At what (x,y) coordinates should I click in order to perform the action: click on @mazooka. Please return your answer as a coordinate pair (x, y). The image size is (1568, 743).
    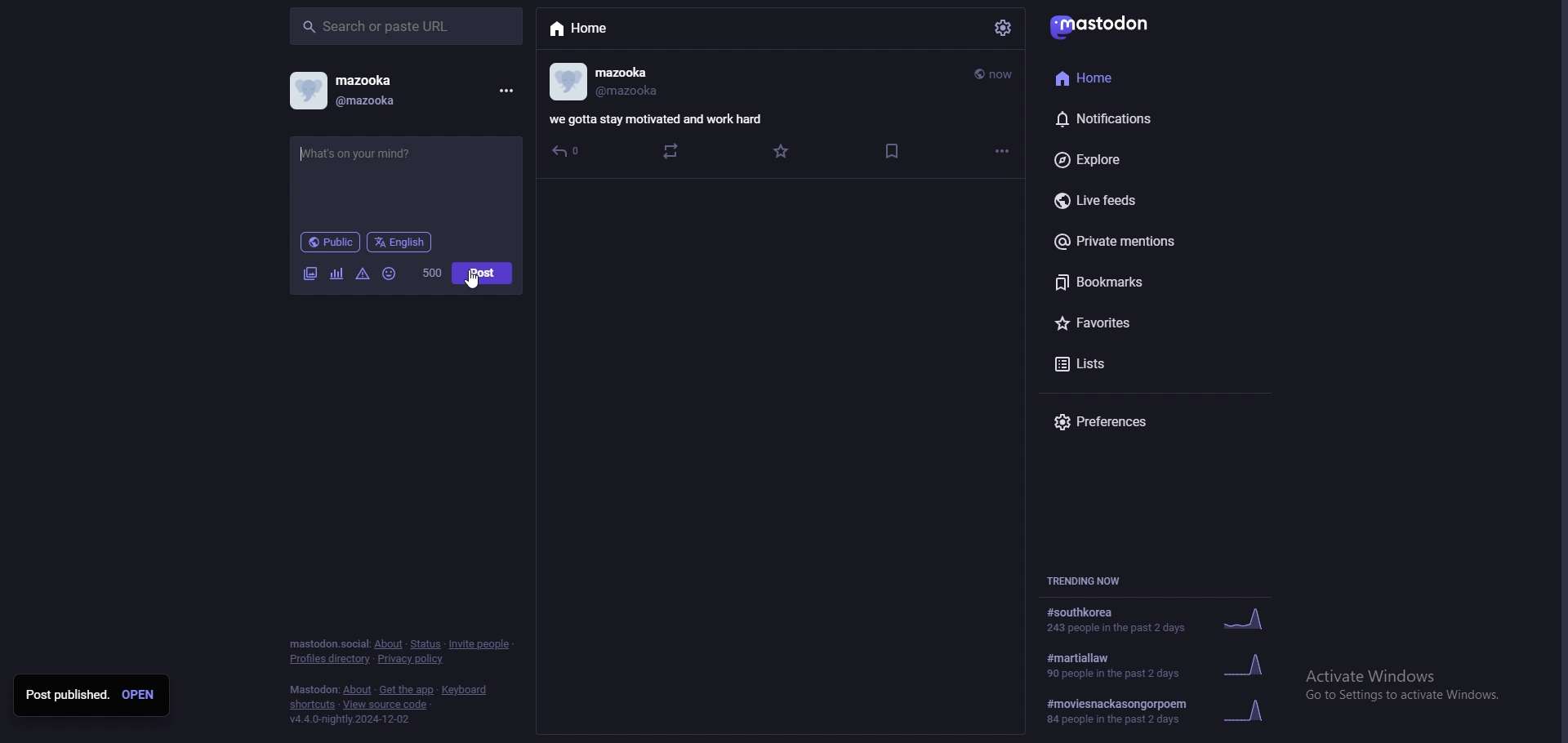
    Looking at the image, I should click on (630, 94).